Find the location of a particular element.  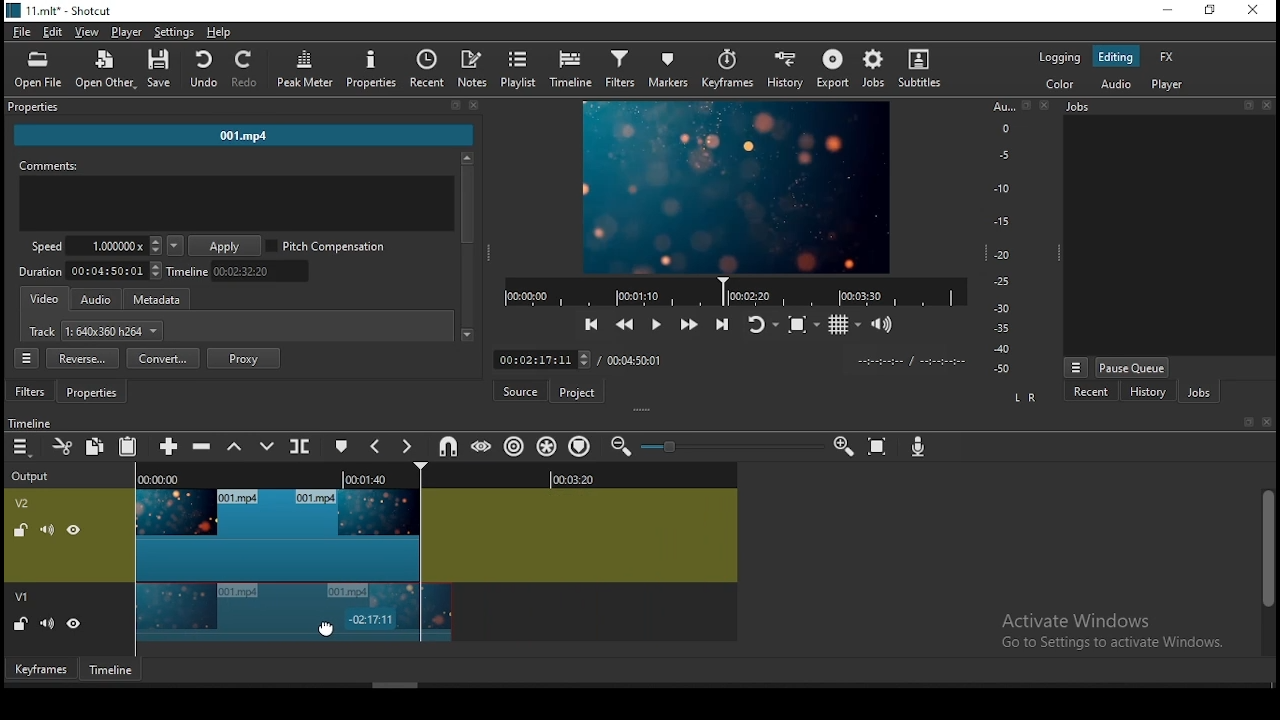

ripple delete is located at coordinates (205, 445).